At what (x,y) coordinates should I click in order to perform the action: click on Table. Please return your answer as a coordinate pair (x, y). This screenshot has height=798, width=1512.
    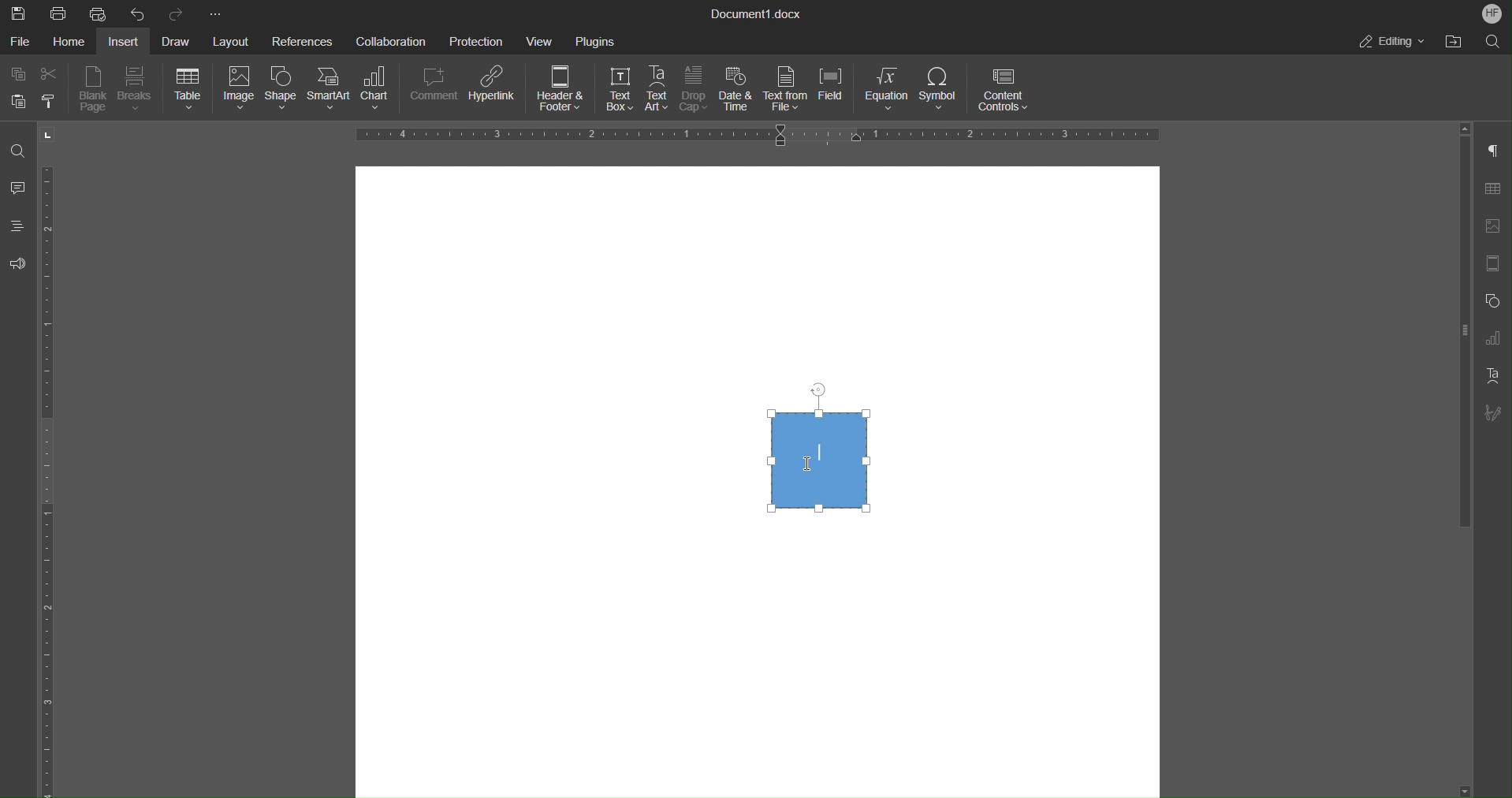
    Looking at the image, I should click on (188, 90).